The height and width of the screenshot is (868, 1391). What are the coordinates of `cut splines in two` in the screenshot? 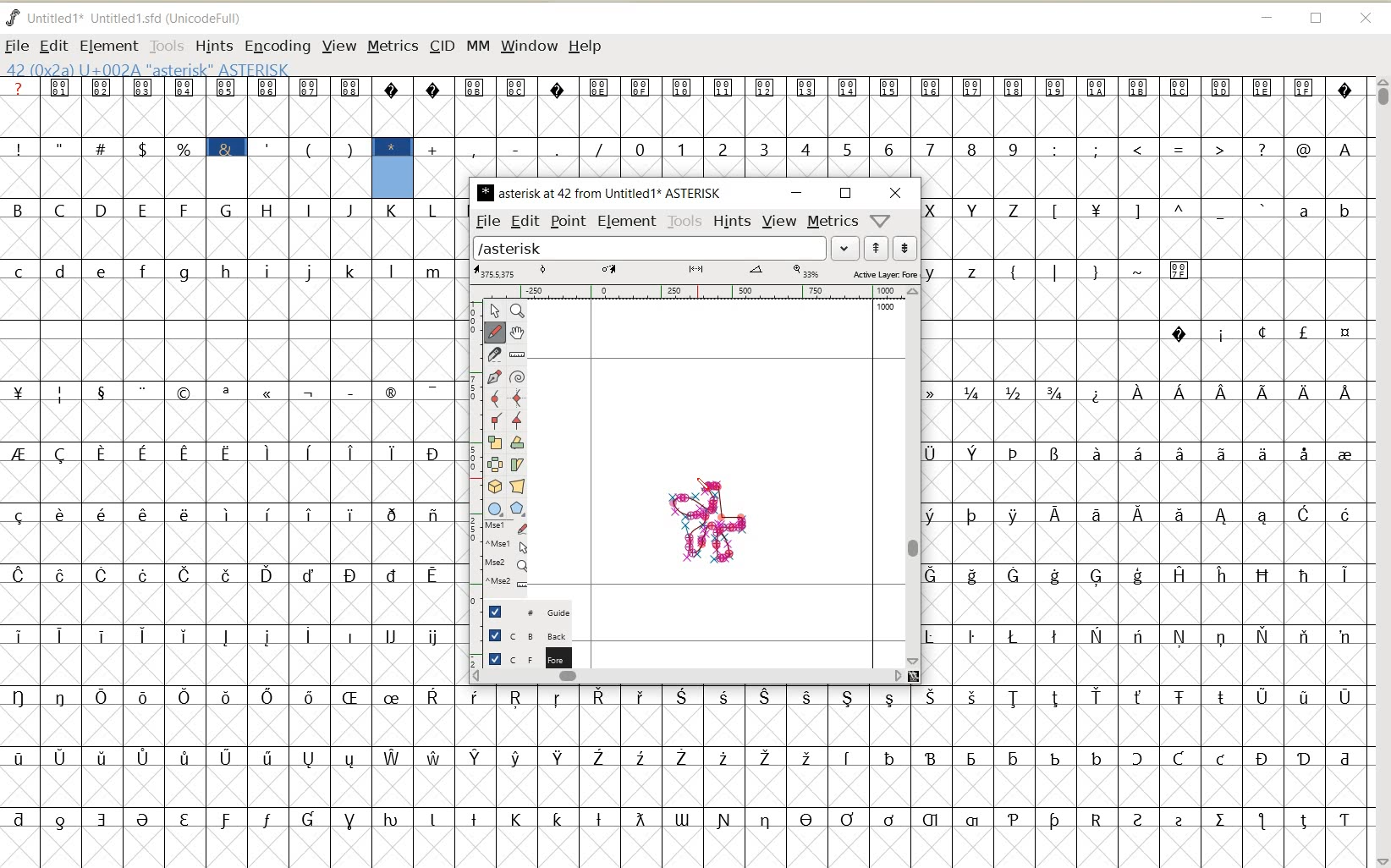 It's located at (496, 355).